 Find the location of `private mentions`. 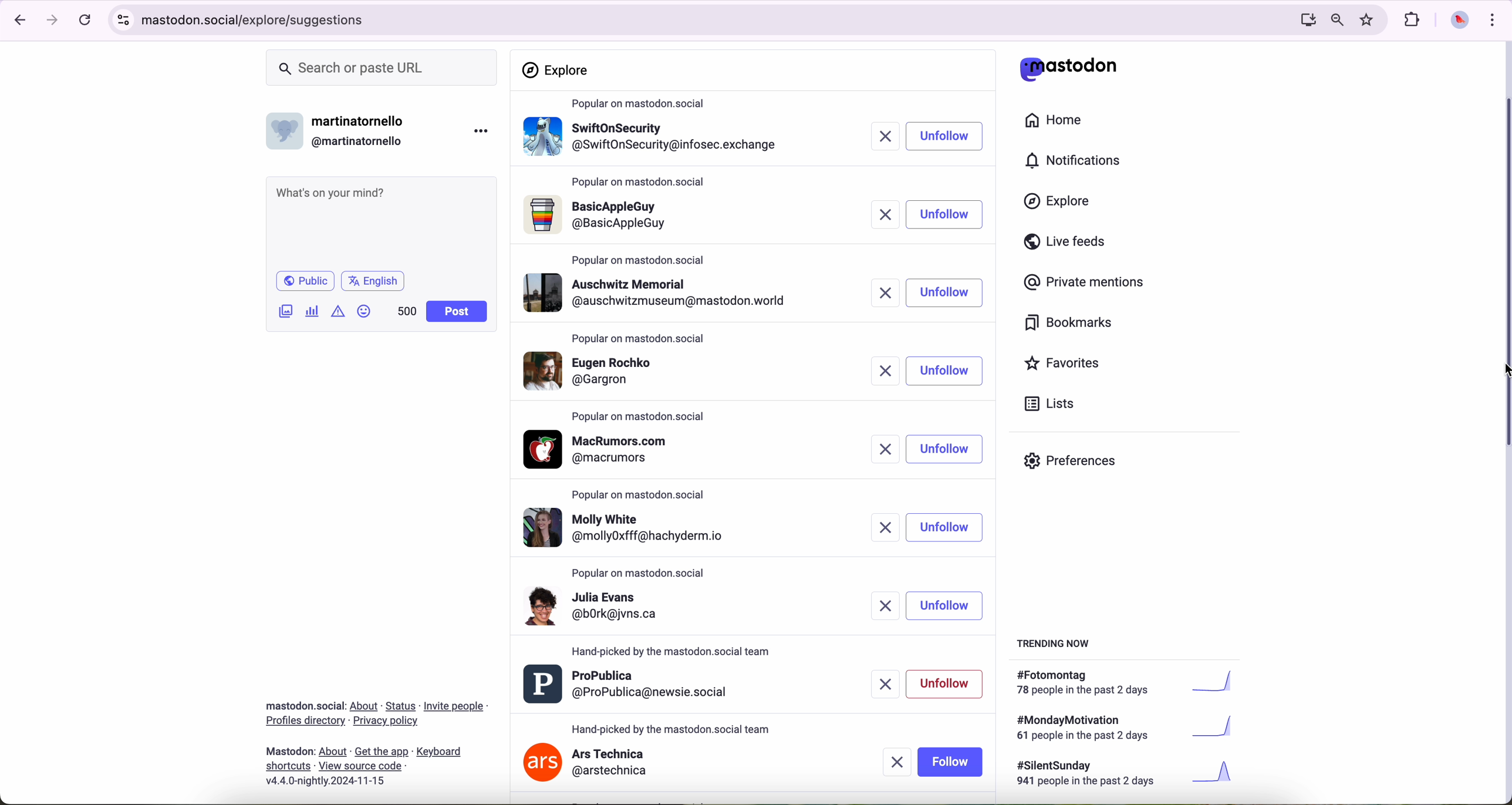

private mentions is located at coordinates (1085, 283).